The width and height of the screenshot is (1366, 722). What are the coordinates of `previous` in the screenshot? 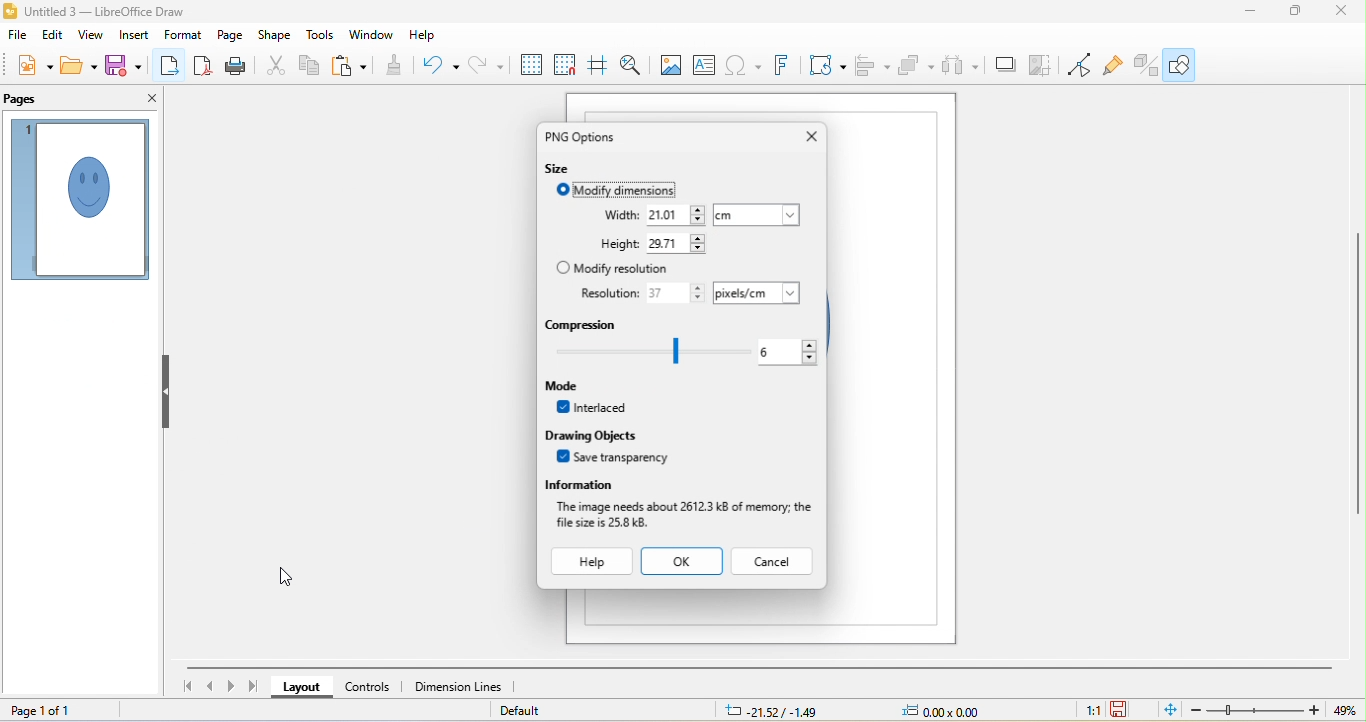 It's located at (210, 687).